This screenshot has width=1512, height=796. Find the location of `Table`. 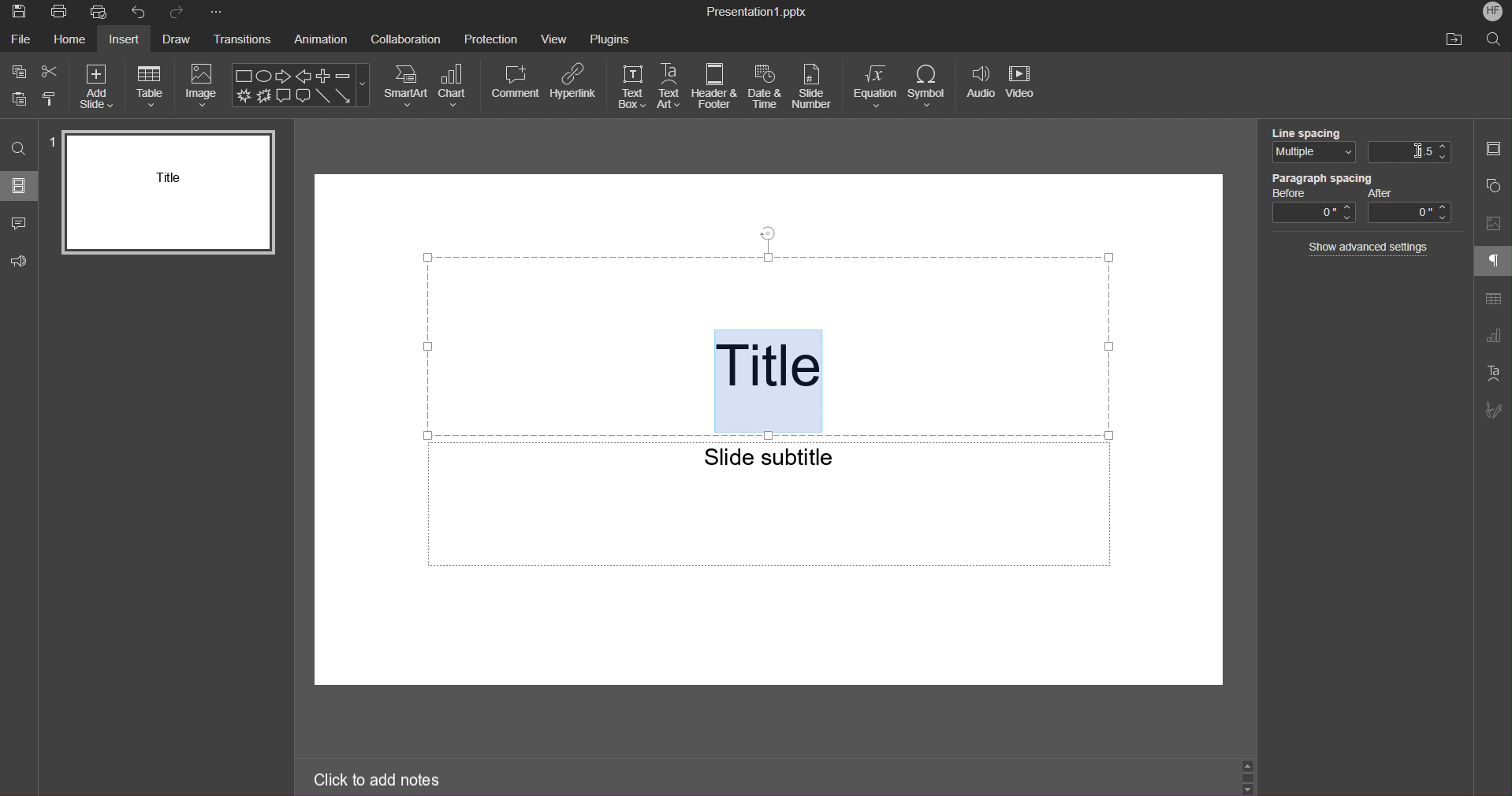

Table is located at coordinates (1492, 300).